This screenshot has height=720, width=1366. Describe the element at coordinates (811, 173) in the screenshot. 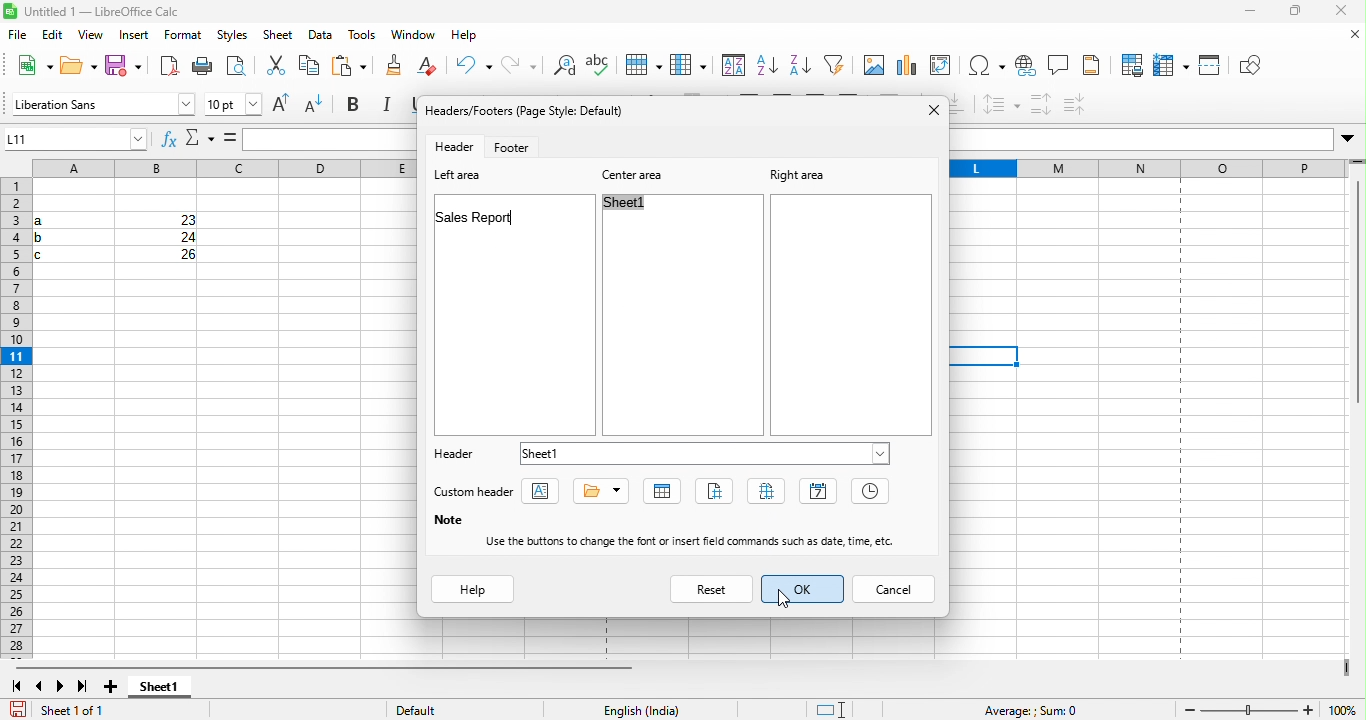

I see `right area` at that location.